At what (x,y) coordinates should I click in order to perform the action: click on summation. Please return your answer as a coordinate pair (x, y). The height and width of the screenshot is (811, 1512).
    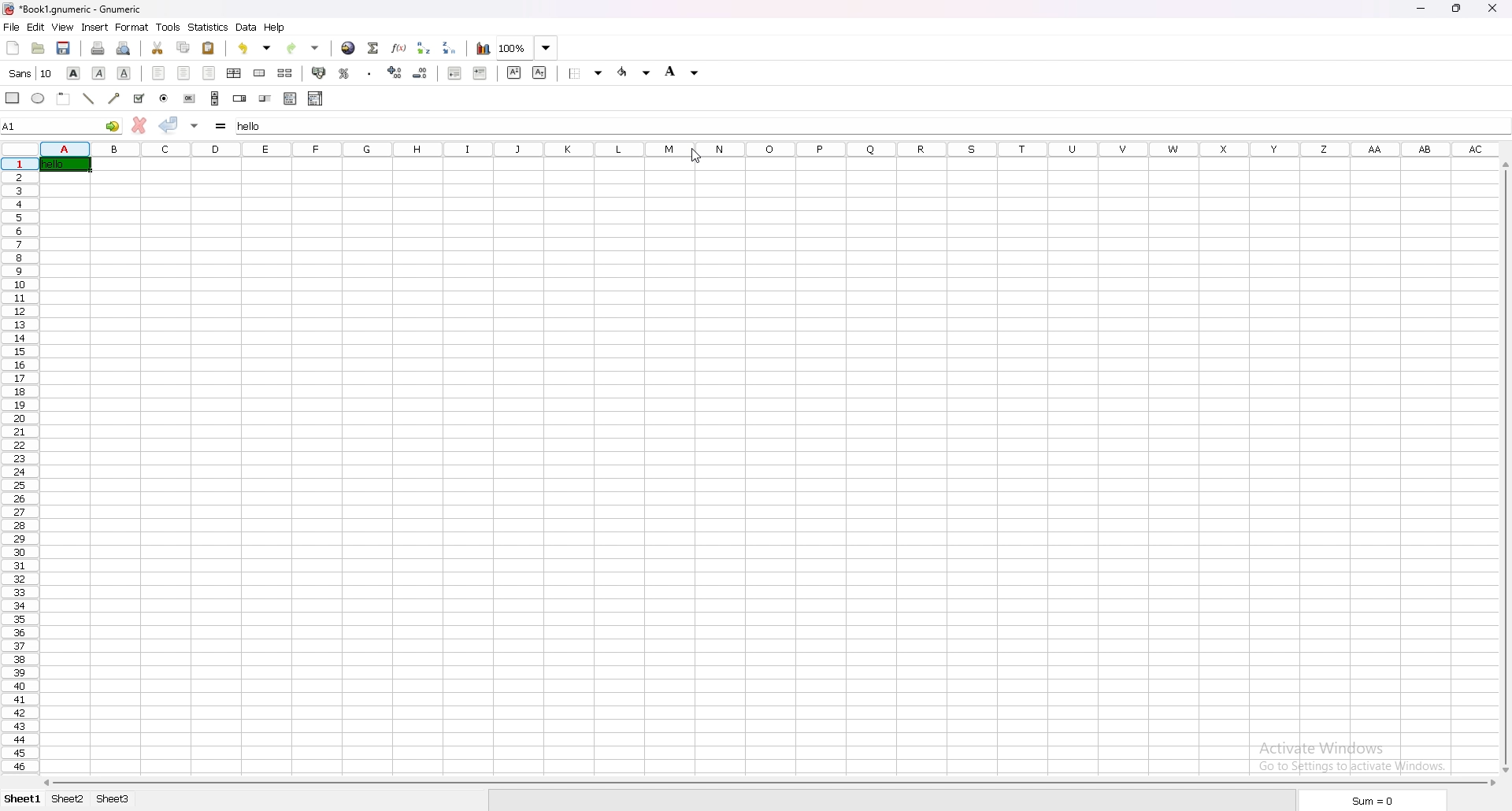
    Looking at the image, I should click on (375, 47).